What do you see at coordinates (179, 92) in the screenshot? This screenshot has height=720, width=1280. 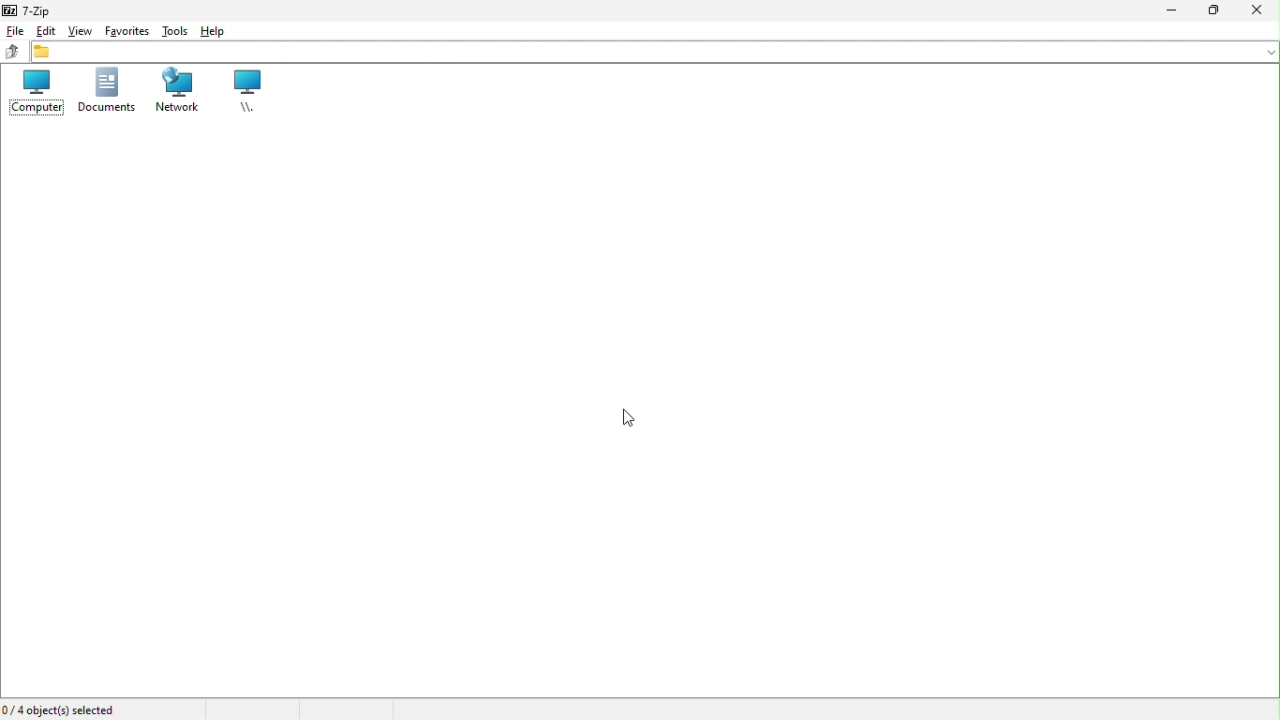 I see `Network` at bounding box center [179, 92].